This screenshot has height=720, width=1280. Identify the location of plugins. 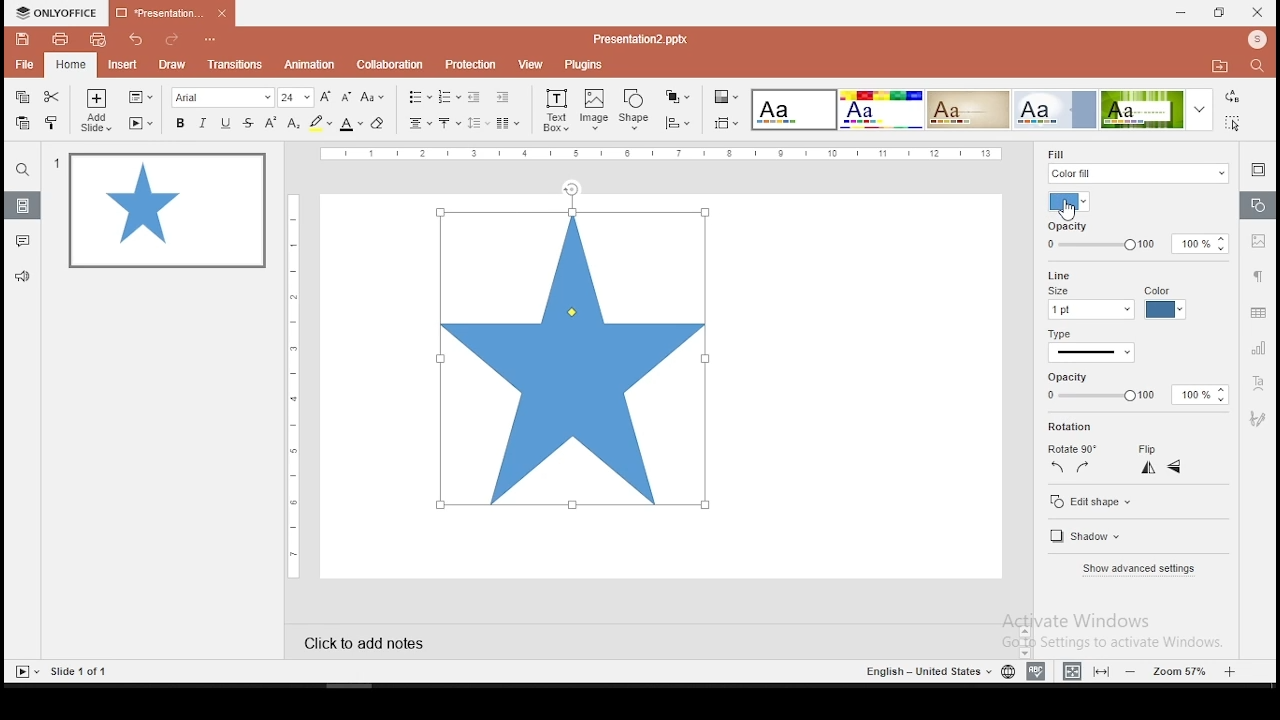
(584, 66).